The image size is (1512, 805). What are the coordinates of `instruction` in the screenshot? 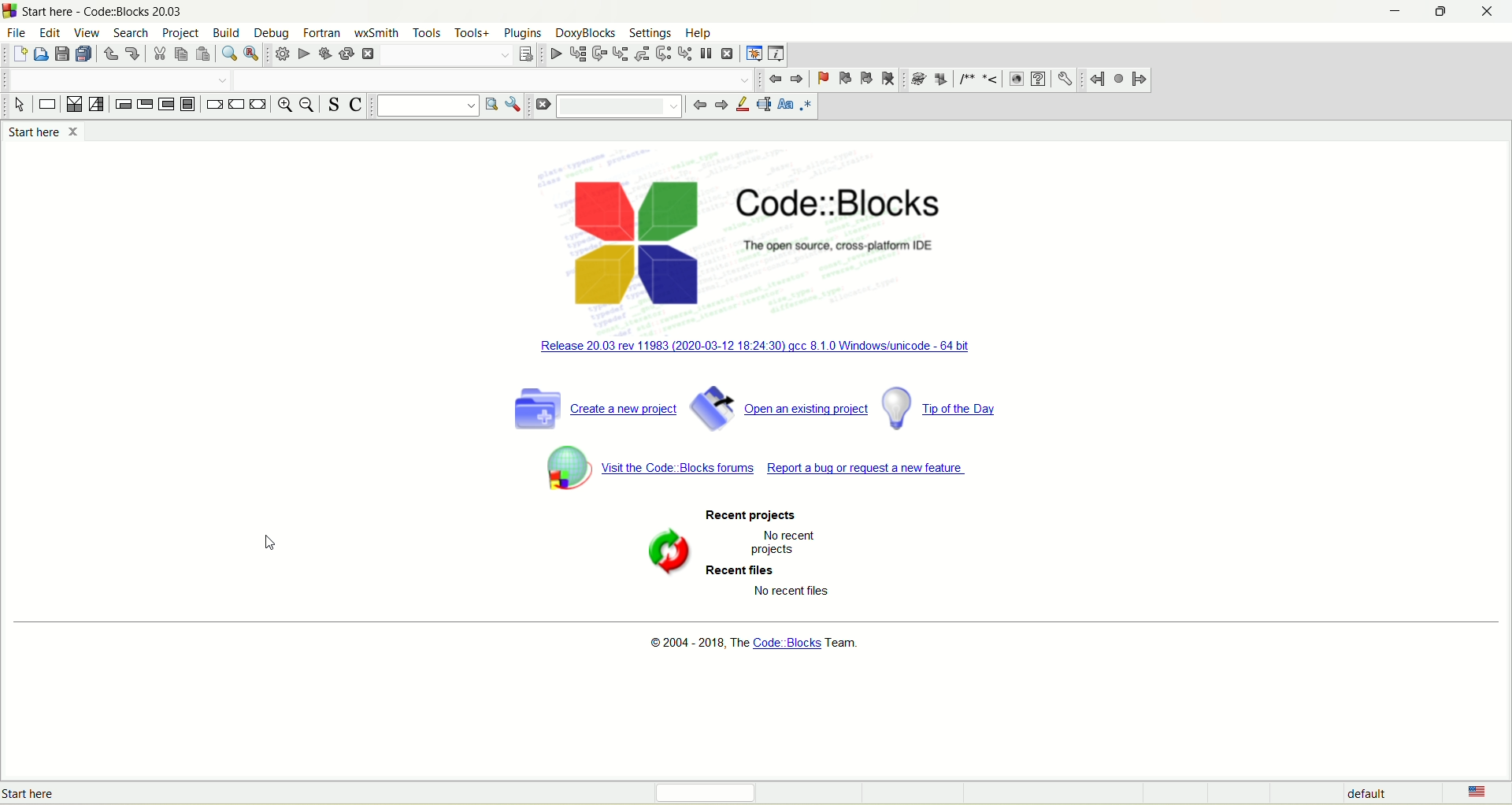 It's located at (47, 104).